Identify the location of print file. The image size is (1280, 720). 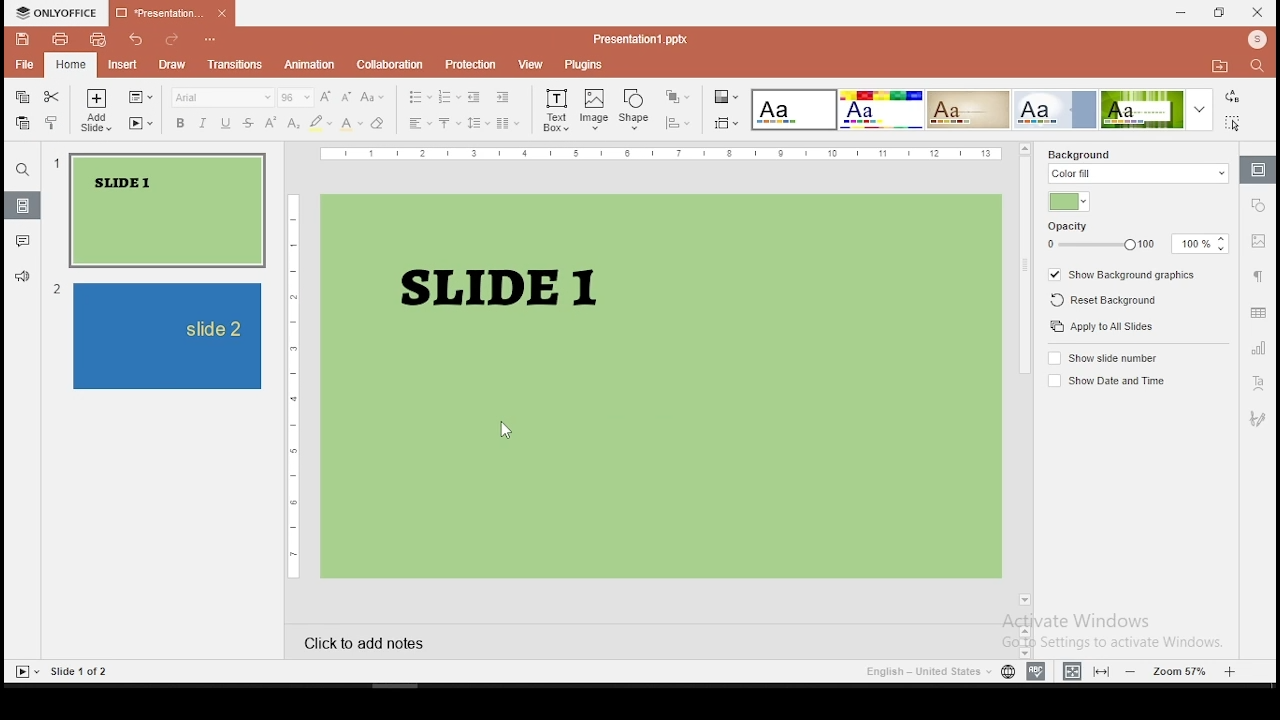
(59, 38).